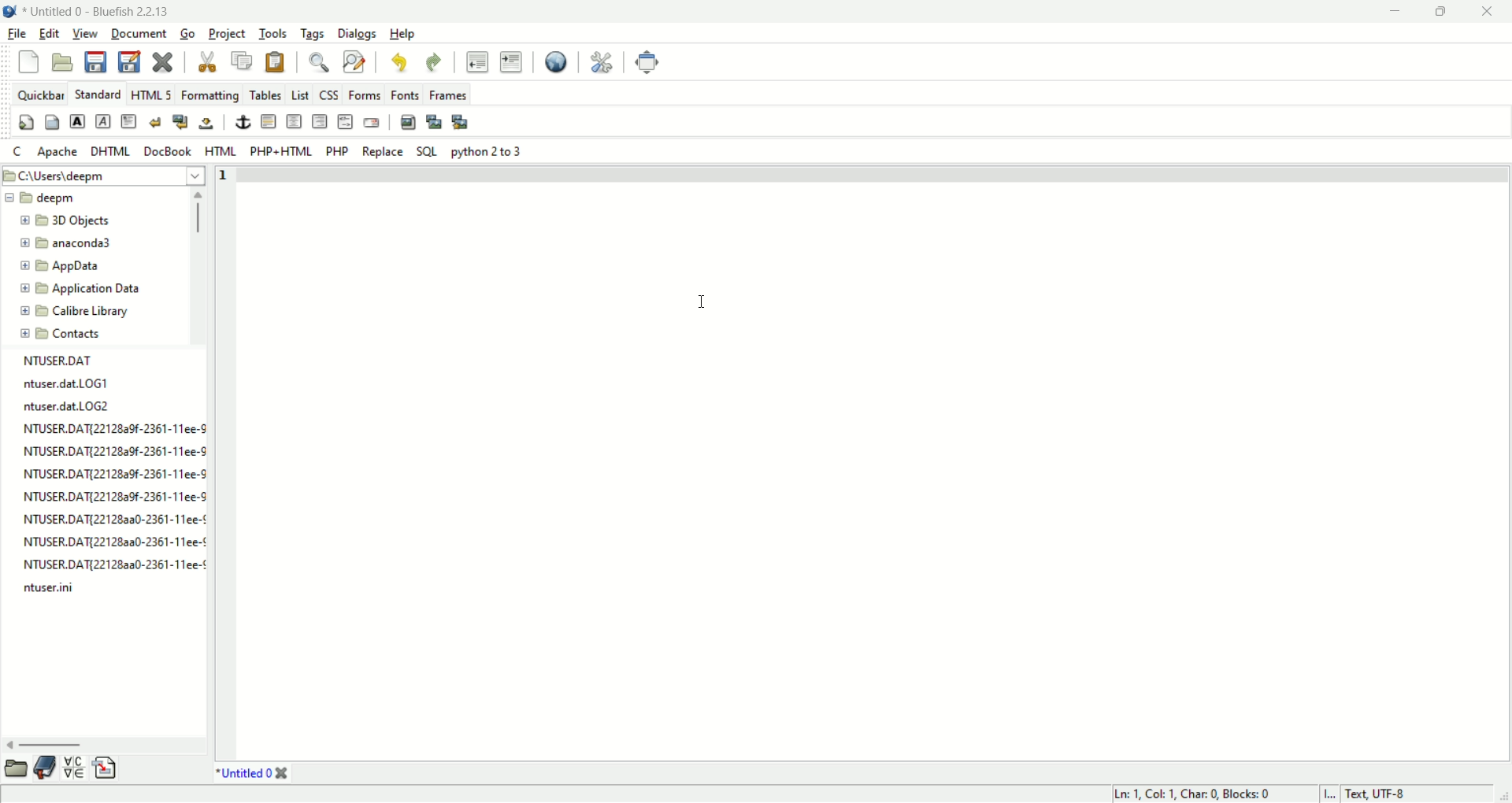 This screenshot has width=1512, height=803. Describe the element at coordinates (70, 244) in the screenshot. I see `anaconda` at that location.